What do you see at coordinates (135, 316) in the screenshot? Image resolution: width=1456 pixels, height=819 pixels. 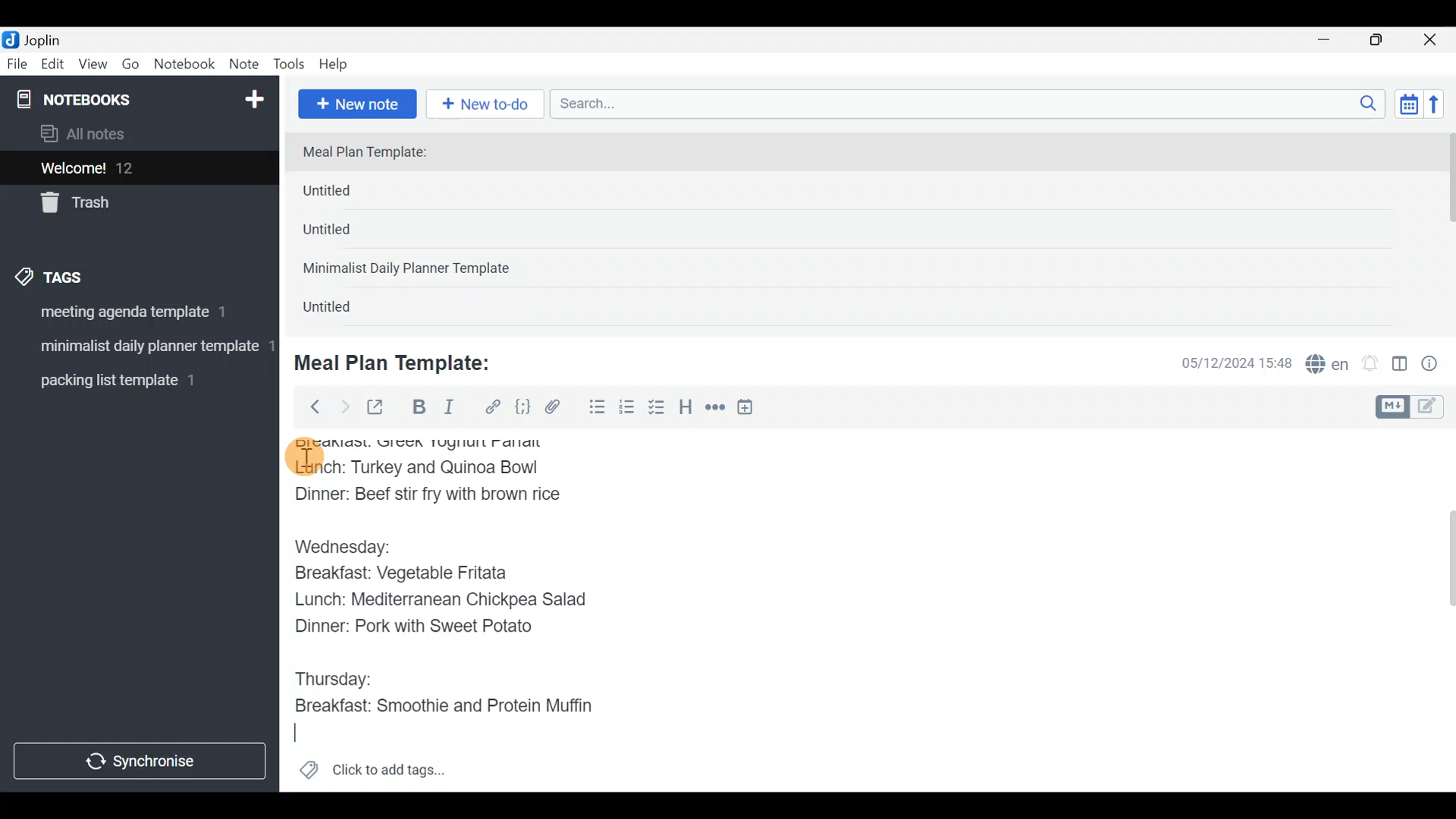 I see `Tag 1` at bounding box center [135, 316].